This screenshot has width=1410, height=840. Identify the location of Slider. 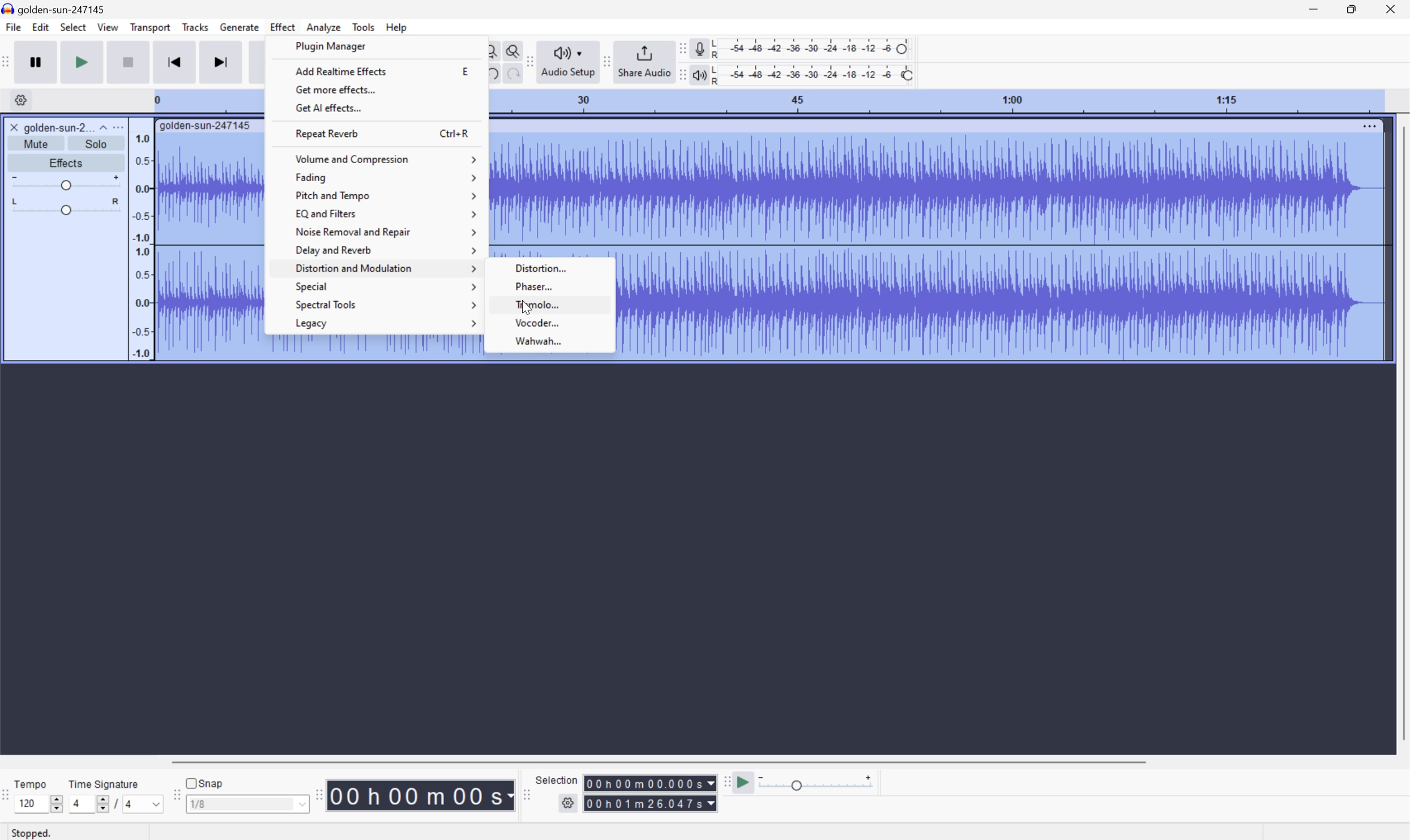
(66, 183).